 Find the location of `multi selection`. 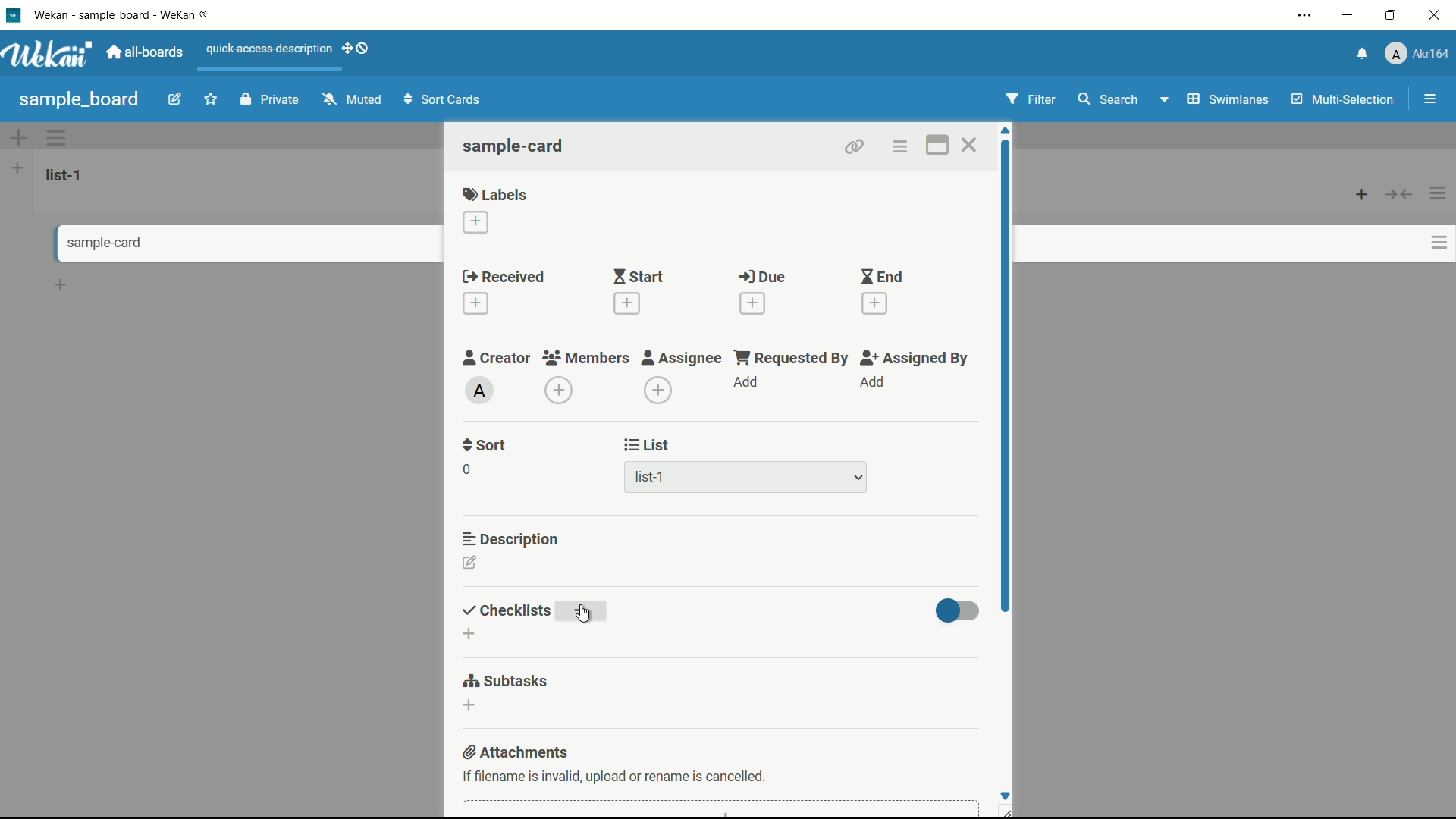

multi selection is located at coordinates (1345, 101).